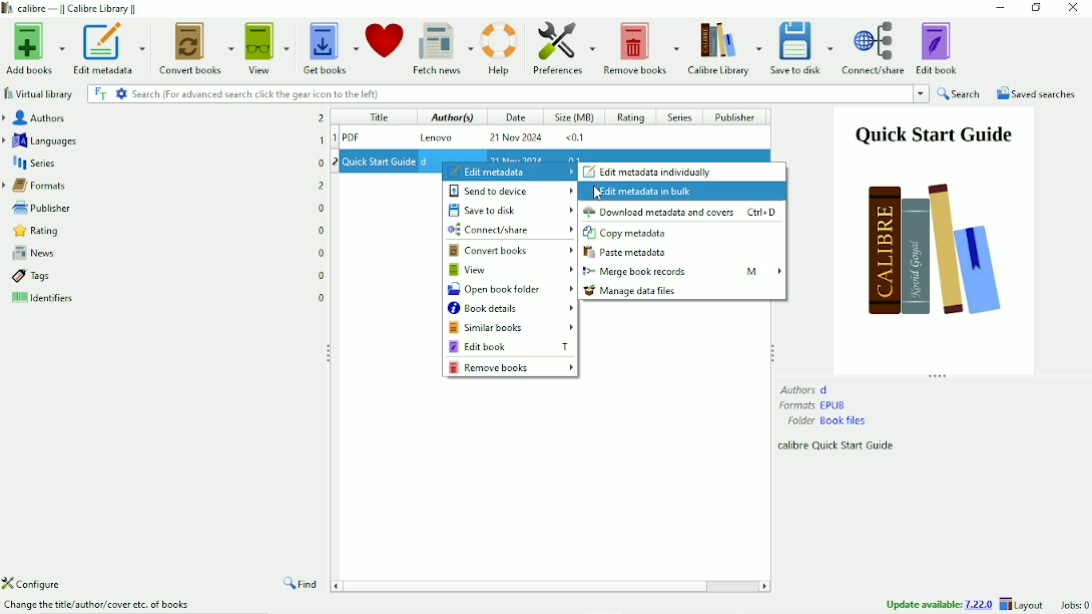 The image size is (1092, 614). Describe the element at coordinates (680, 118) in the screenshot. I see `Series` at that location.